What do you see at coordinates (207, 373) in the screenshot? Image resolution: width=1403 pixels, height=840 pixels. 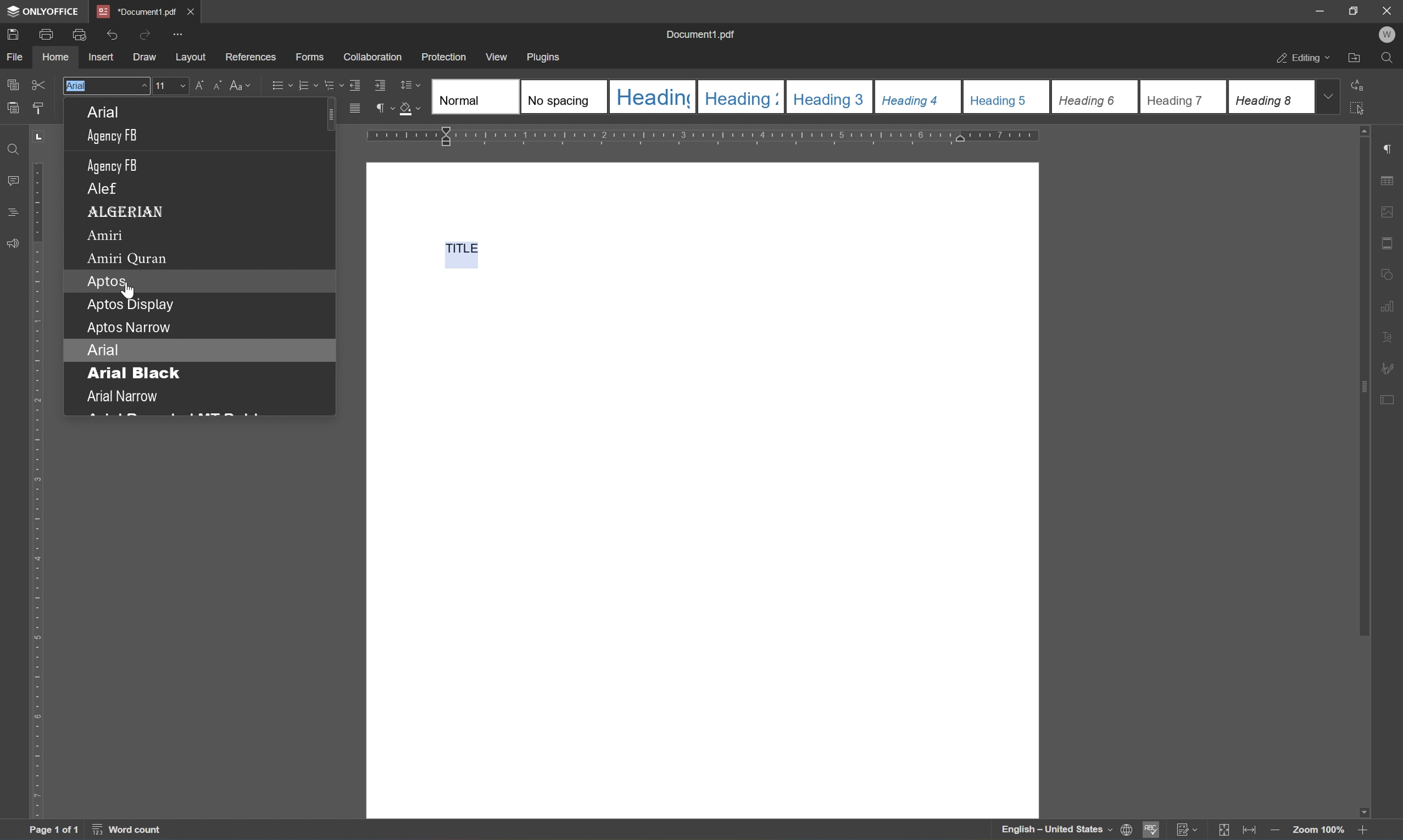 I see `Arial black` at bounding box center [207, 373].